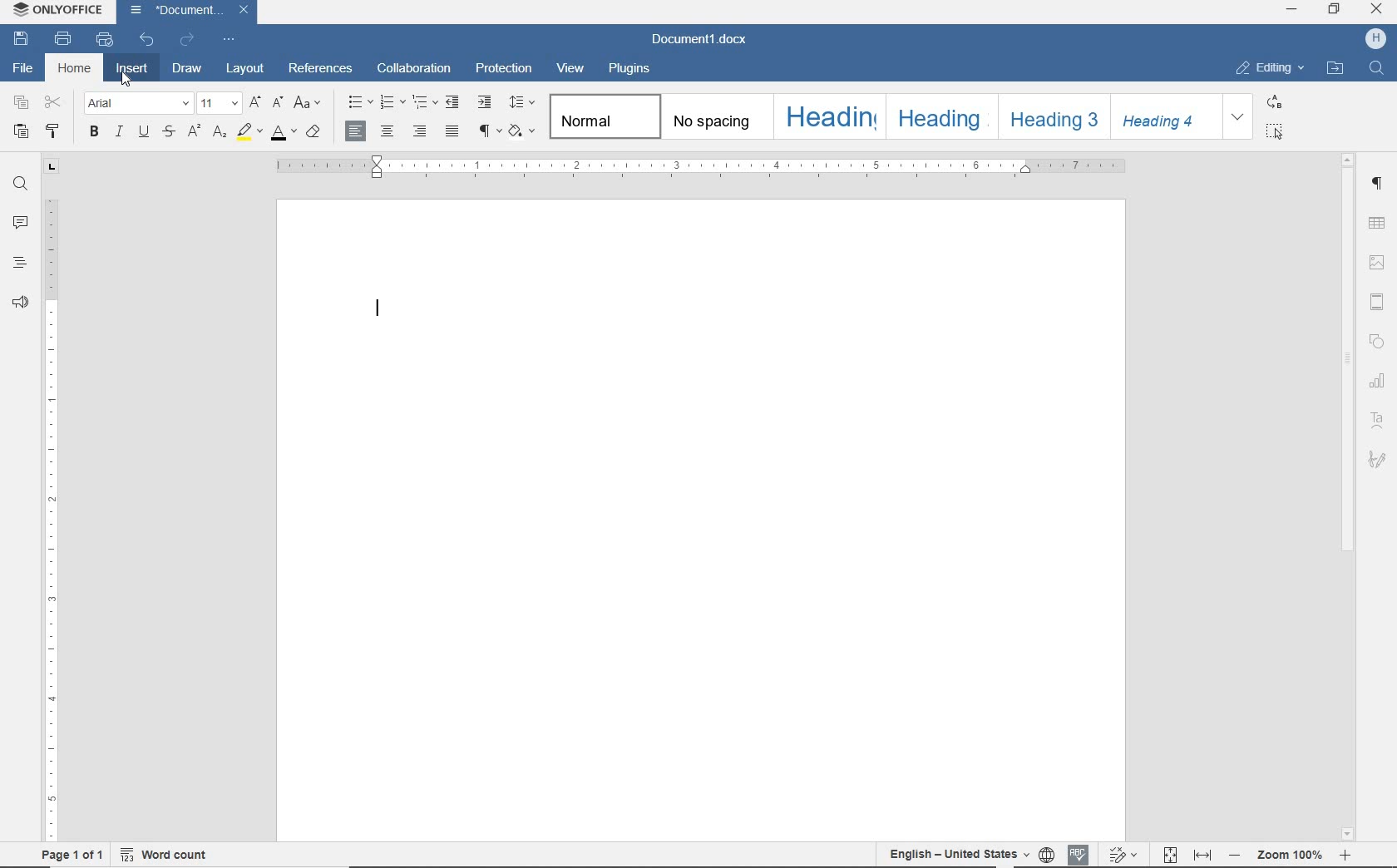 The width and height of the screenshot is (1397, 868). Describe the element at coordinates (452, 102) in the screenshot. I see `decrease indent` at that location.